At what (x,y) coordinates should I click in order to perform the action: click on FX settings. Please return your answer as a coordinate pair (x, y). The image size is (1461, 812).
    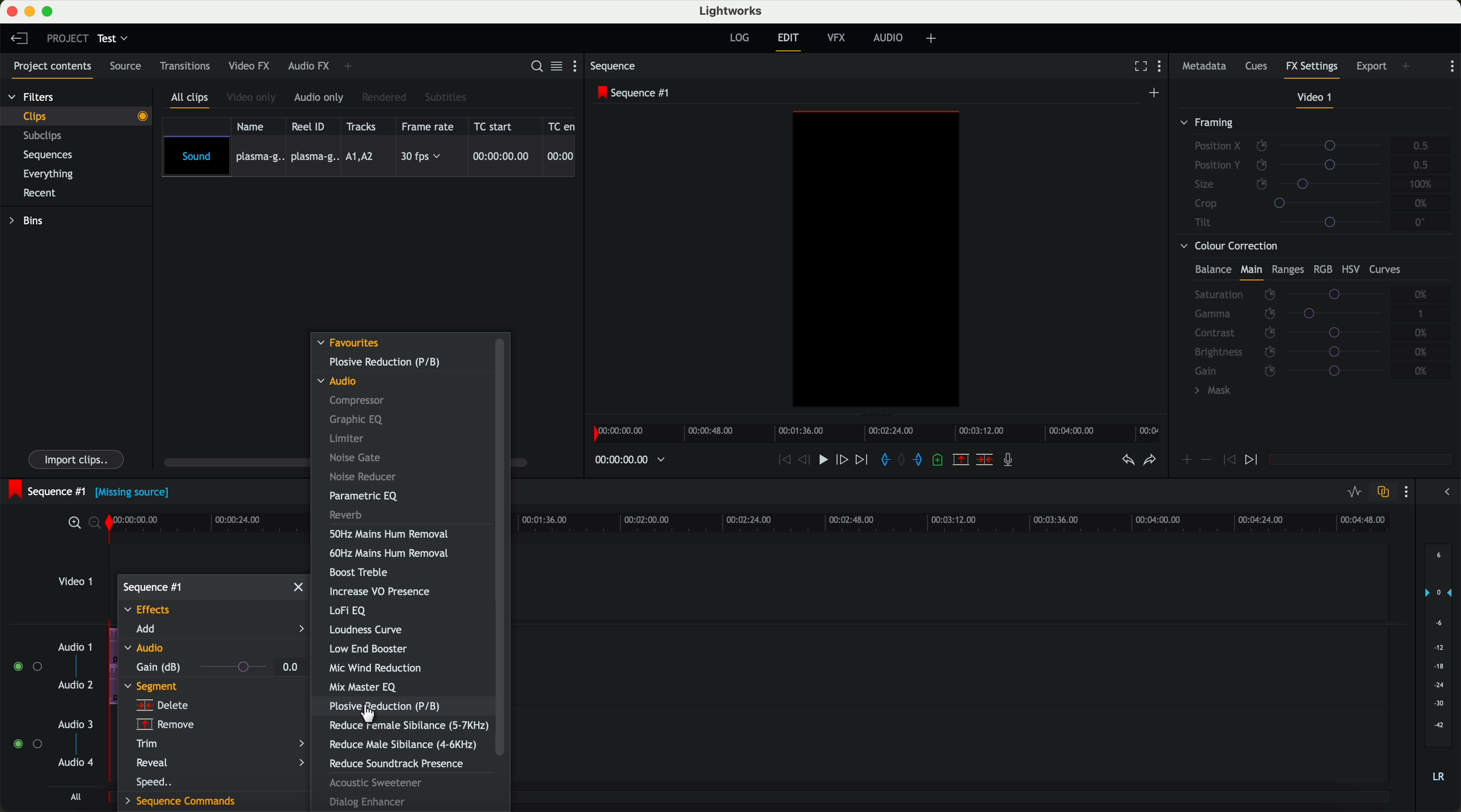
    Looking at the image, I should click on (1312, 68).